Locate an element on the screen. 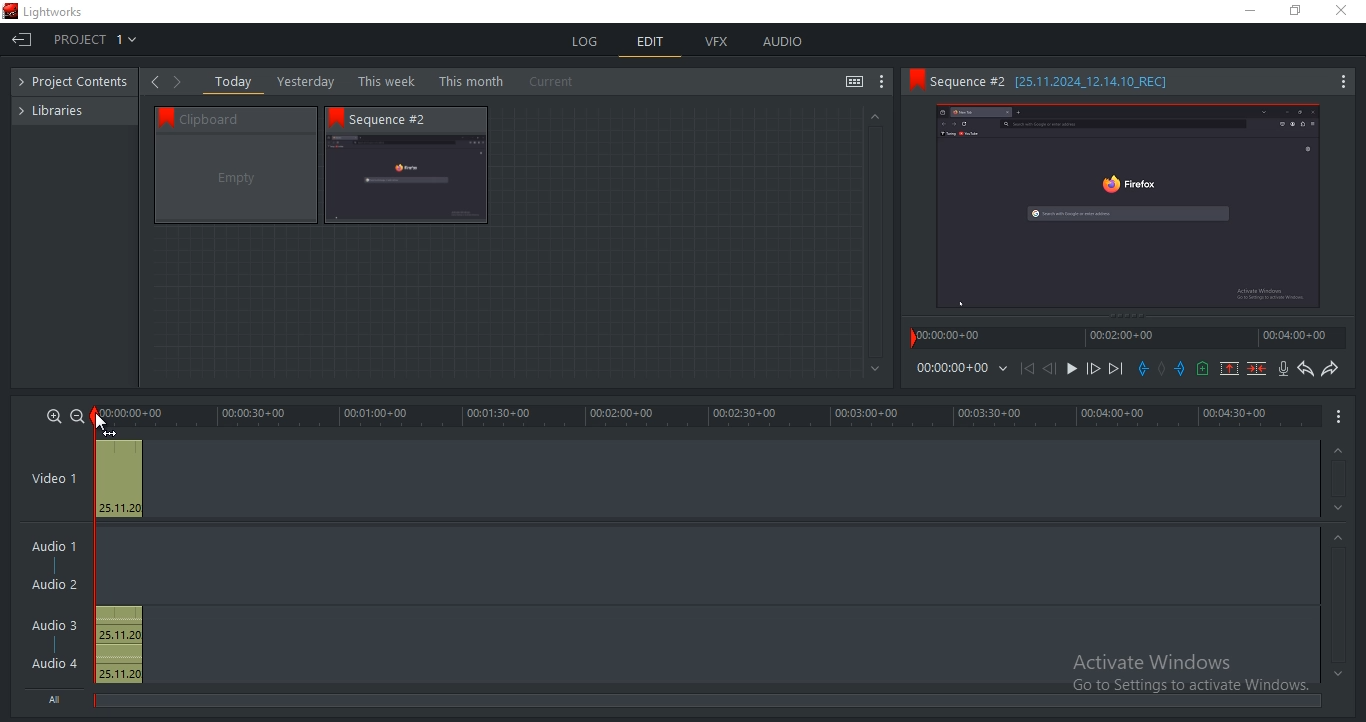 This screenshot has width=1366, height=722. Navigate right options is located at coordinates (181, 82).